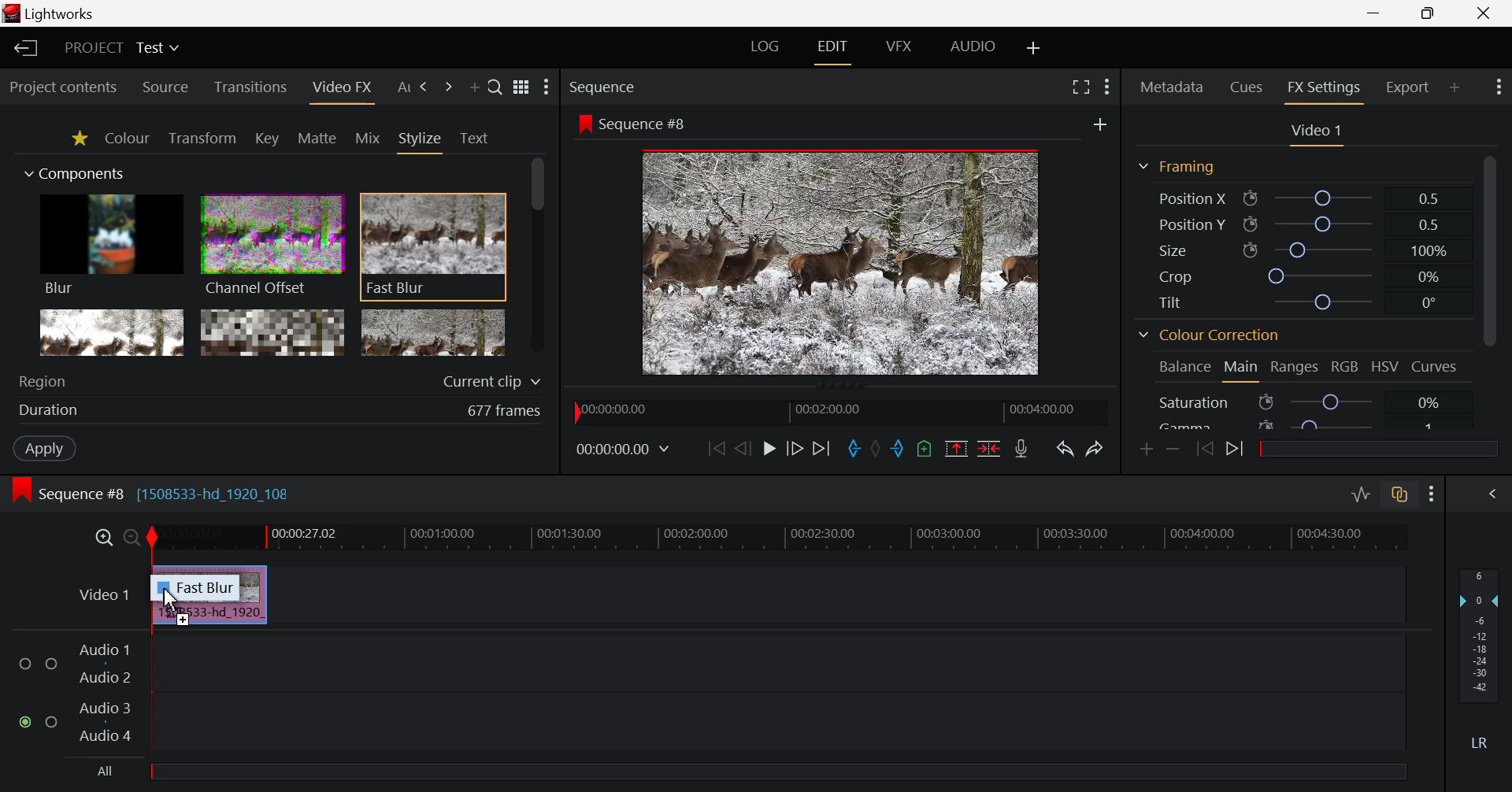 The width and height of the screenshot is (1512, 792). Describe the element at coordinates (1305, 276) in the screenshot. I see `Crop` at that location.